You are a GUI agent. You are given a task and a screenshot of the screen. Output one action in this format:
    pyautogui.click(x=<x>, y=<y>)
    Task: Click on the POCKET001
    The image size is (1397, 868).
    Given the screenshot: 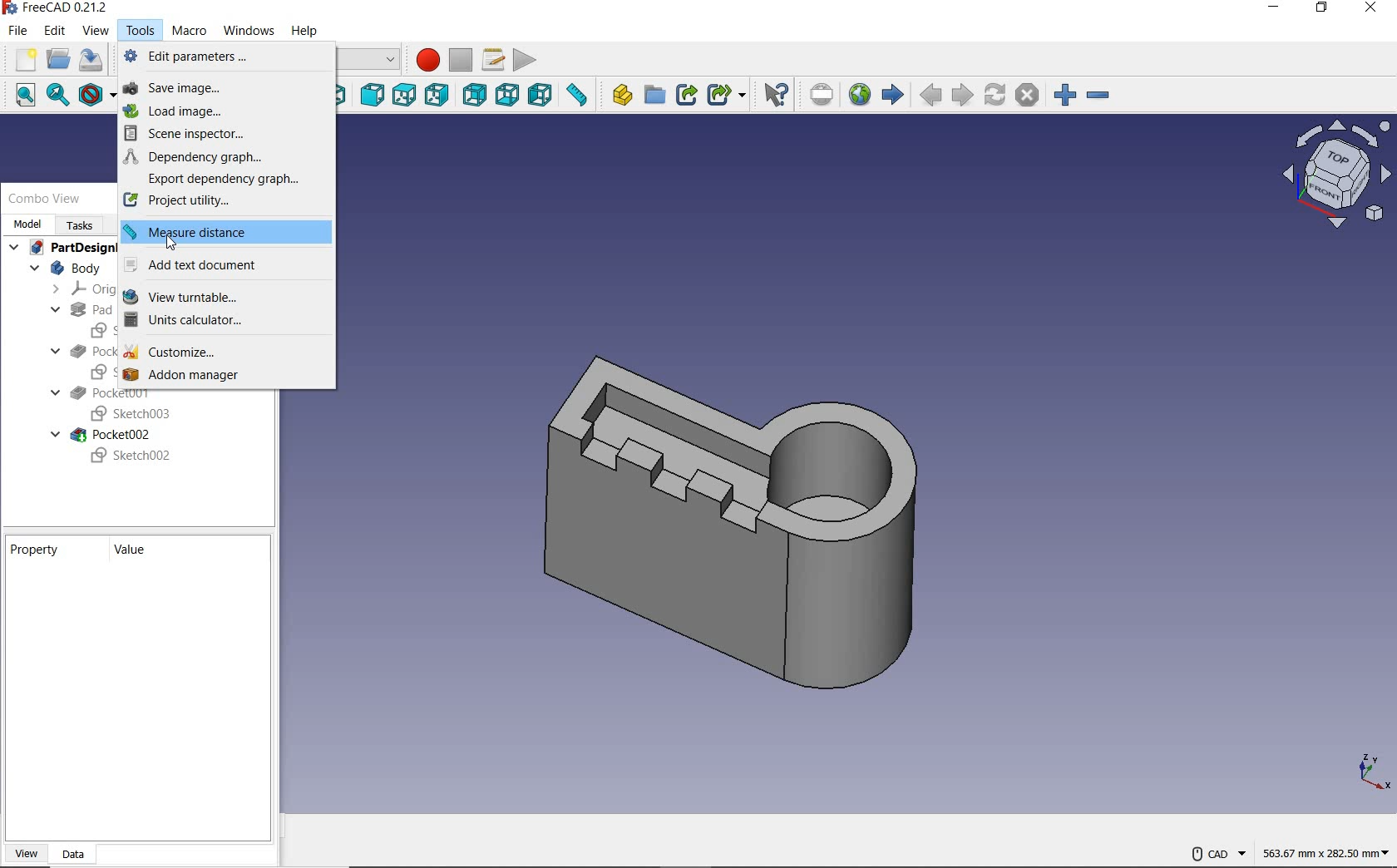 What is the action you would take?
    pyautogui.click(x=102, y=393)
    